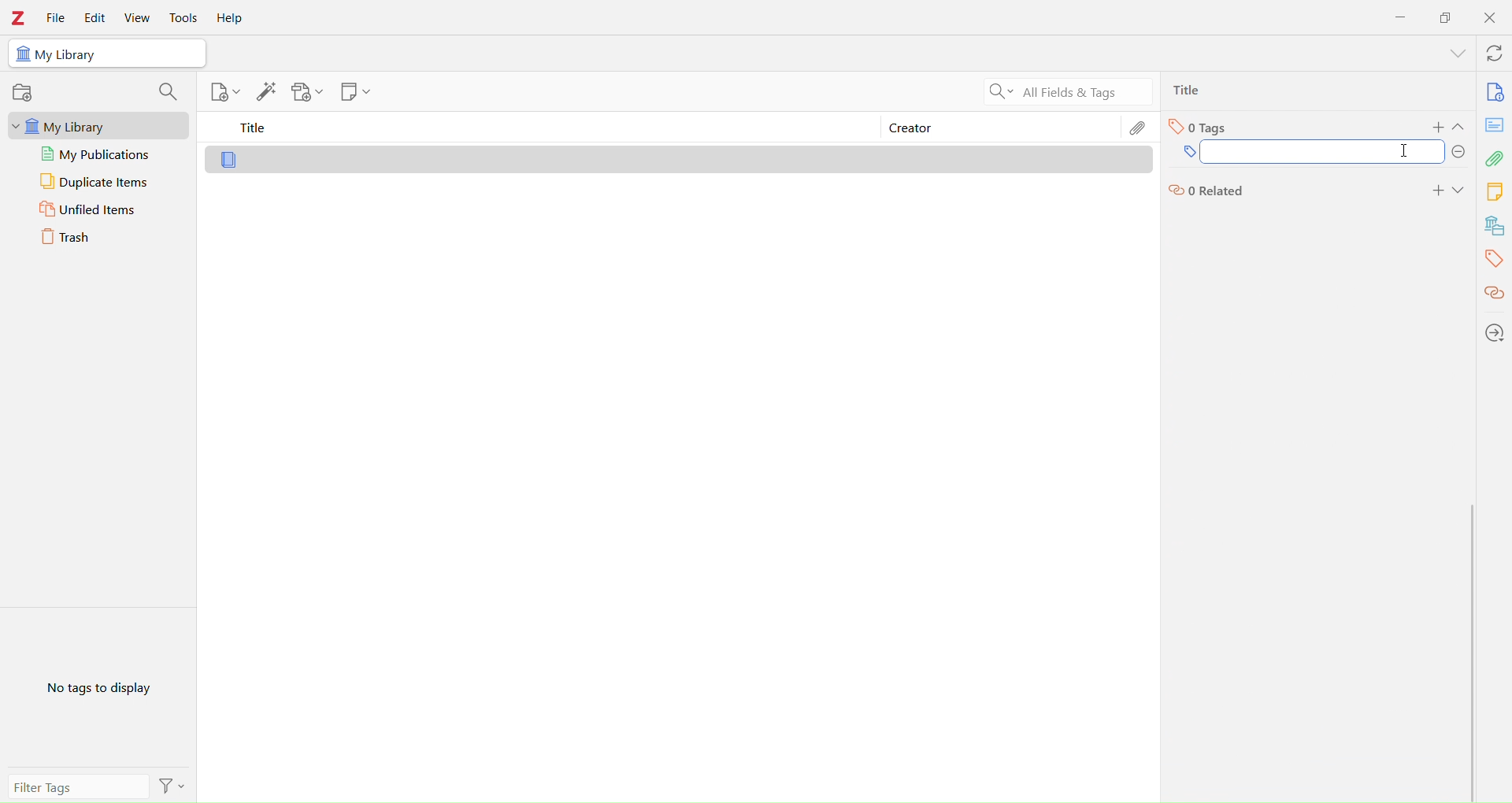 This screenshot has height=803, width=1512. I want to click on Trash, so click(65, 236).